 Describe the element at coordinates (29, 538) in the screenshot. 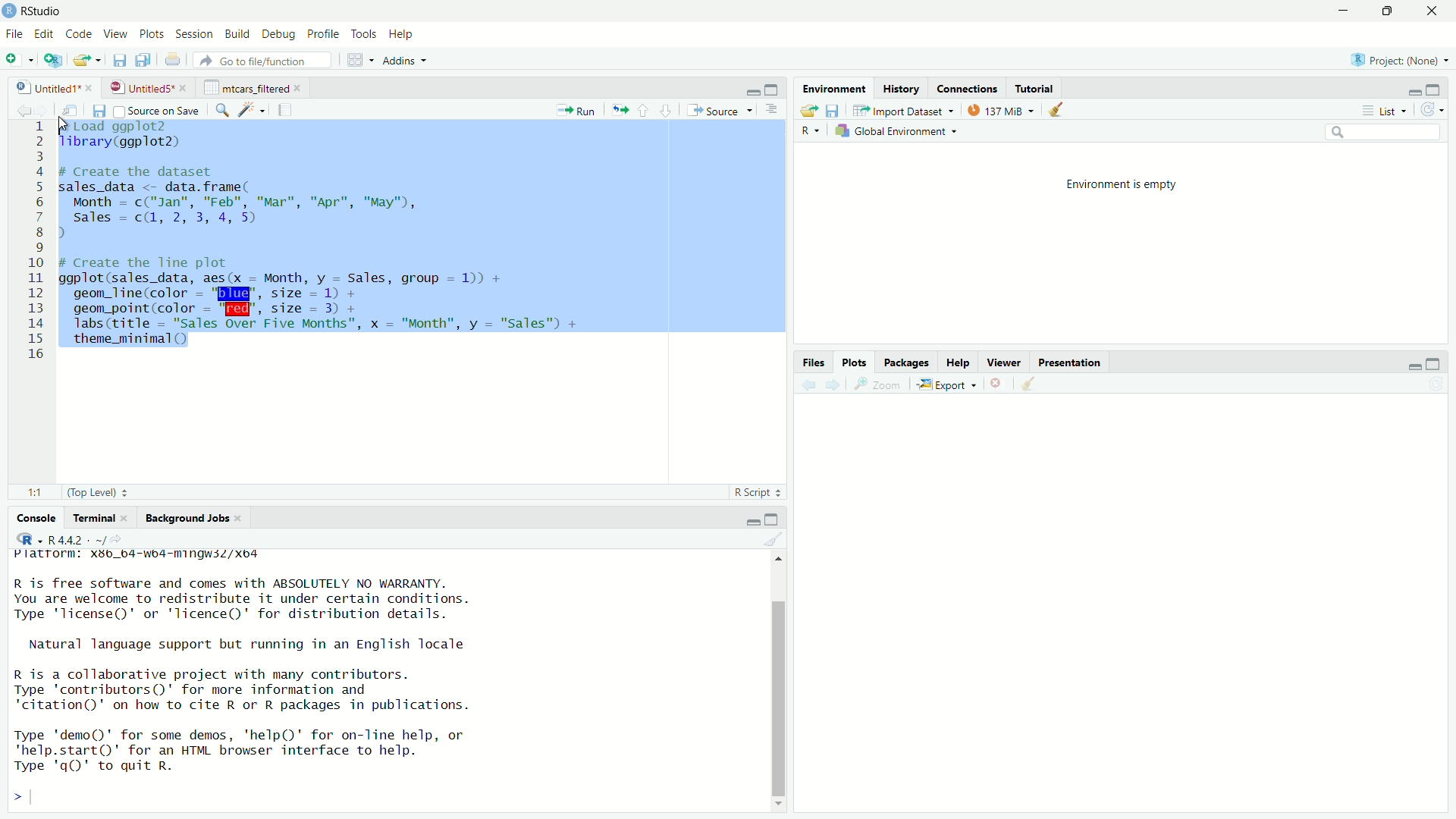

I see `R` at that location.